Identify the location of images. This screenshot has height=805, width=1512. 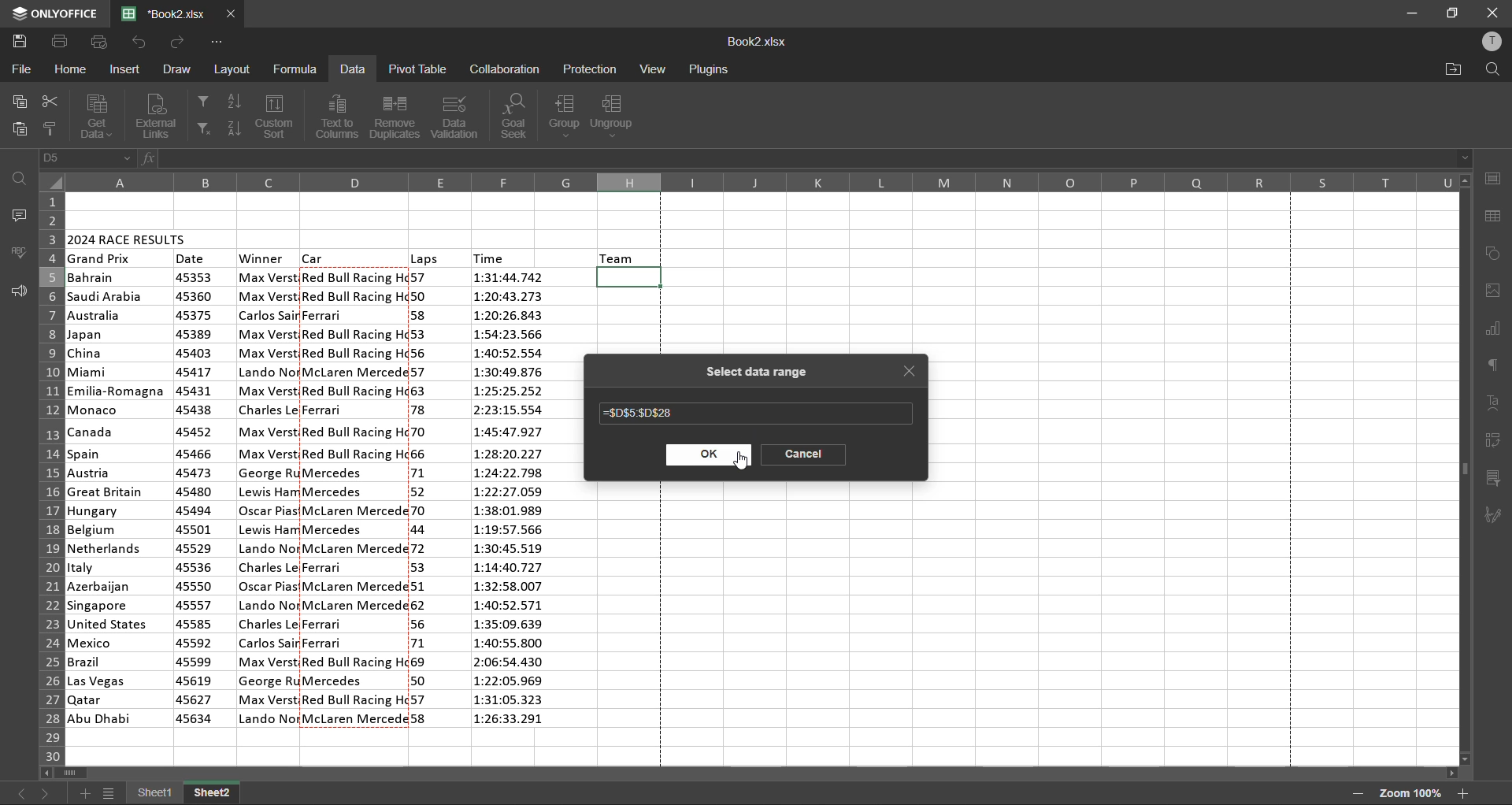
(1494, 291).